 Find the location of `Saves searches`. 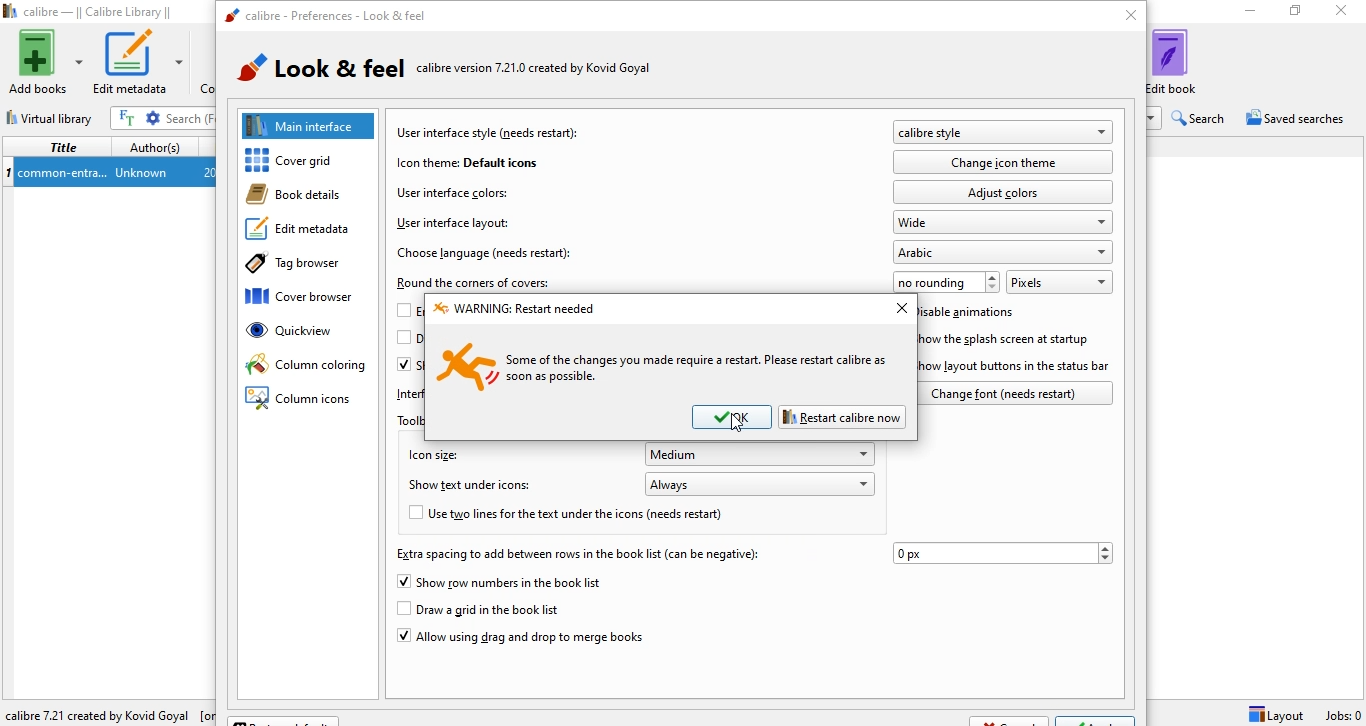

Saves searches is located at coordinates (1298, 120).